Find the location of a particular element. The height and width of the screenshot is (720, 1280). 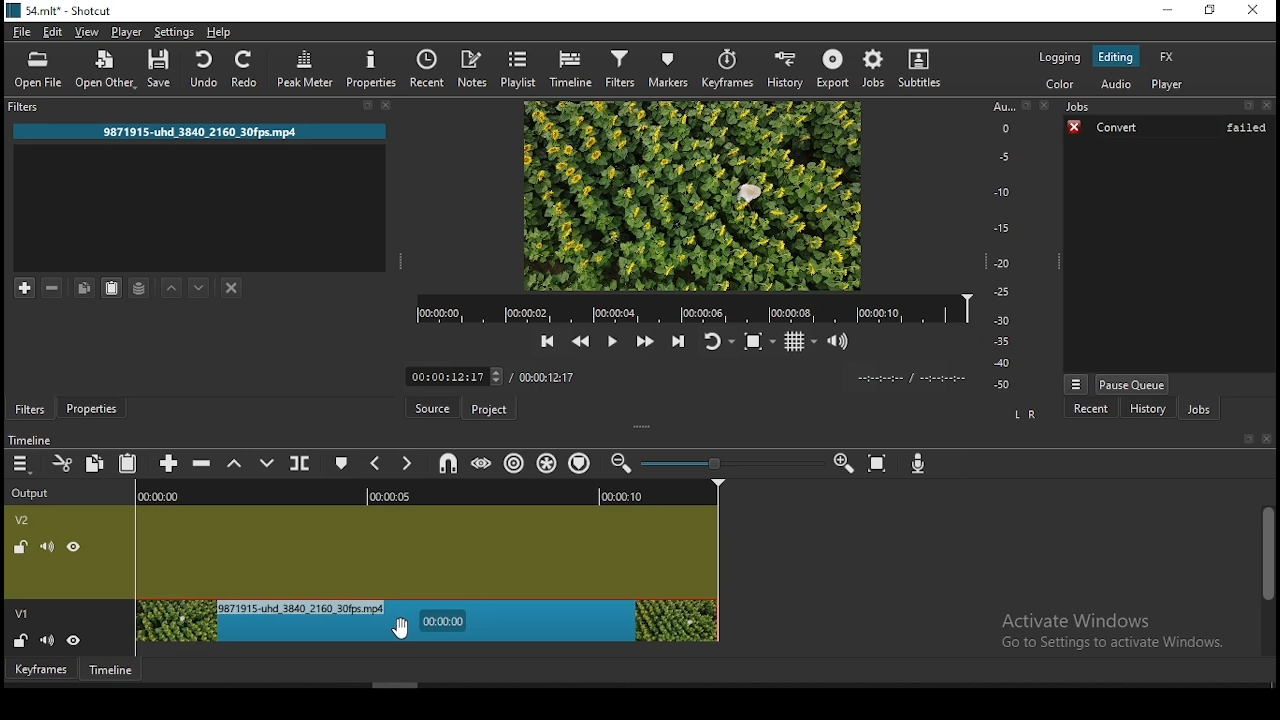

zoom in or zoom out bar is located at coordinates (725, 461).